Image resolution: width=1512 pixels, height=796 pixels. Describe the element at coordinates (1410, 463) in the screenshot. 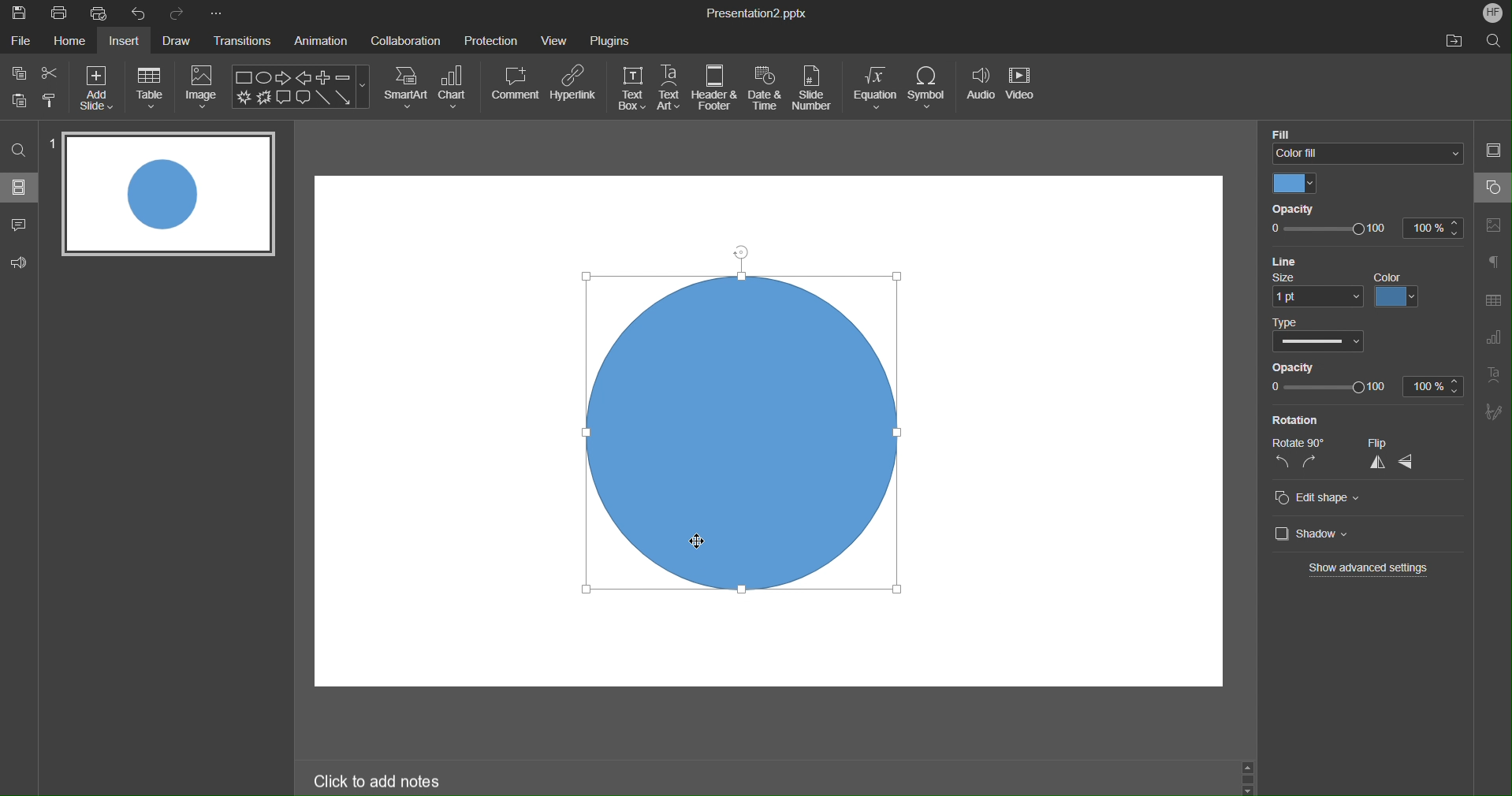

I see `horizontal` at that location.